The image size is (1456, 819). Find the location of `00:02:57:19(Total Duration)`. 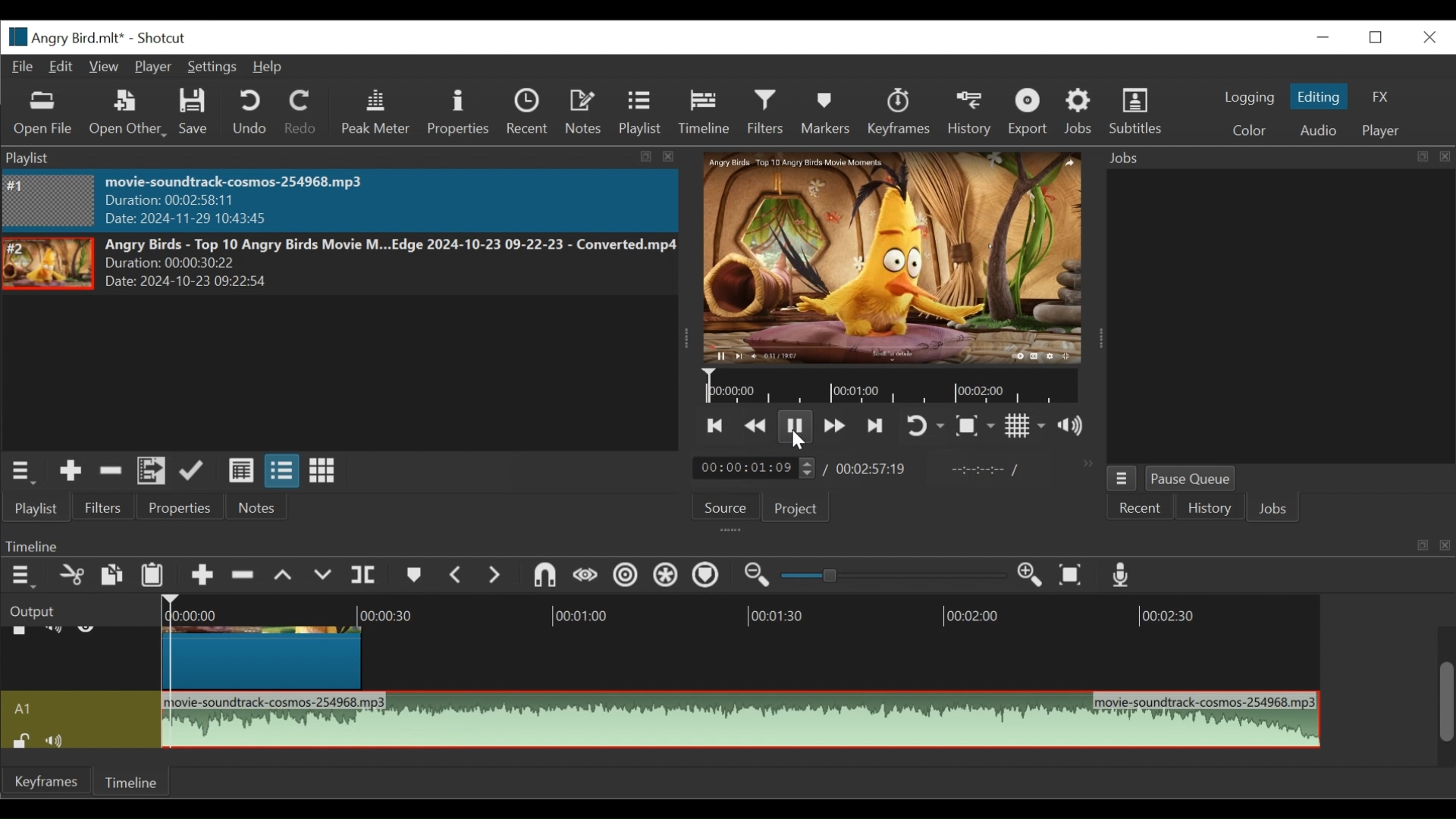

00:02:57:19(Total Duration) is located at coordinates (868, 469).